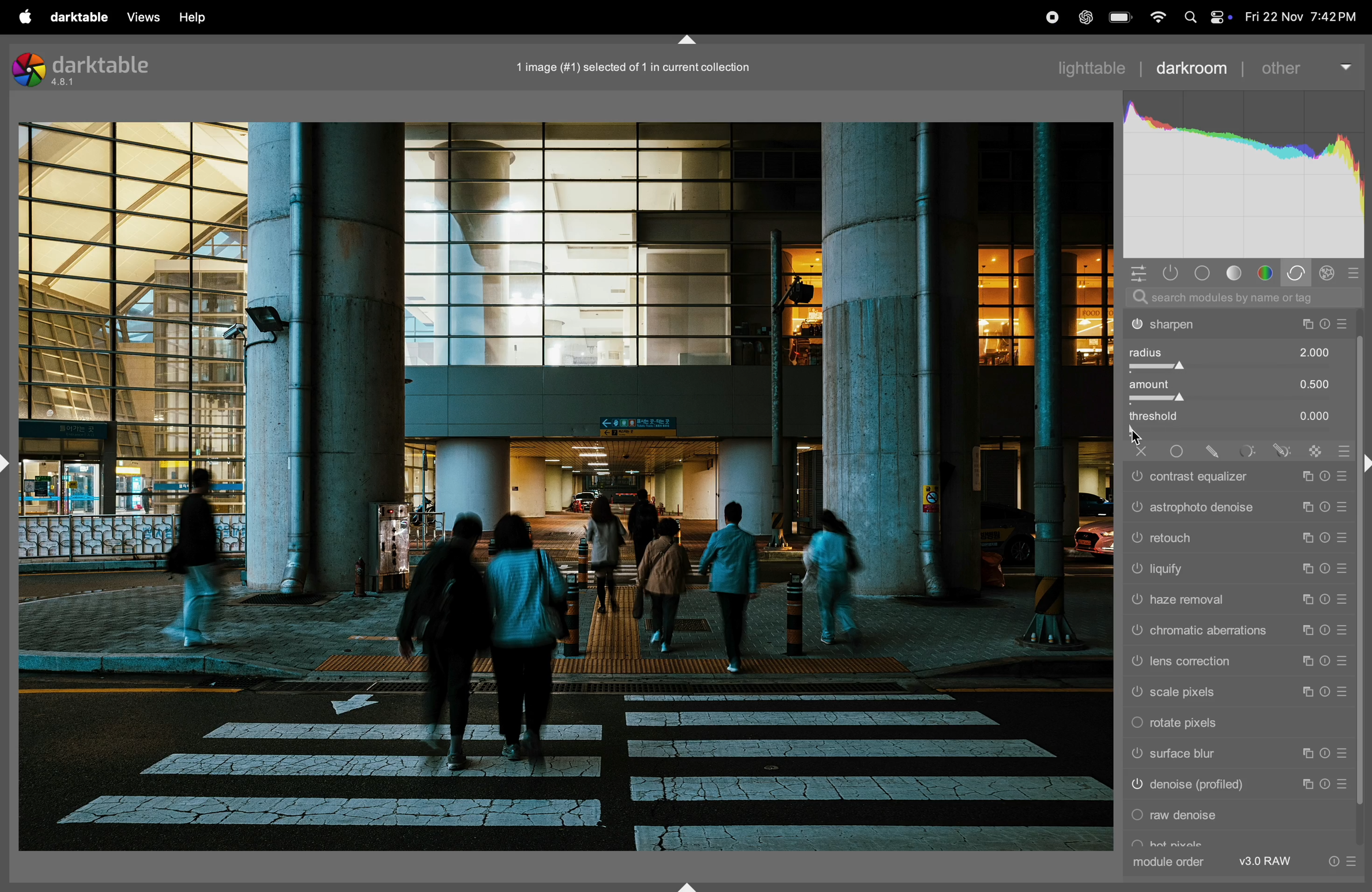  I want to click on close, so click(1136, 451).